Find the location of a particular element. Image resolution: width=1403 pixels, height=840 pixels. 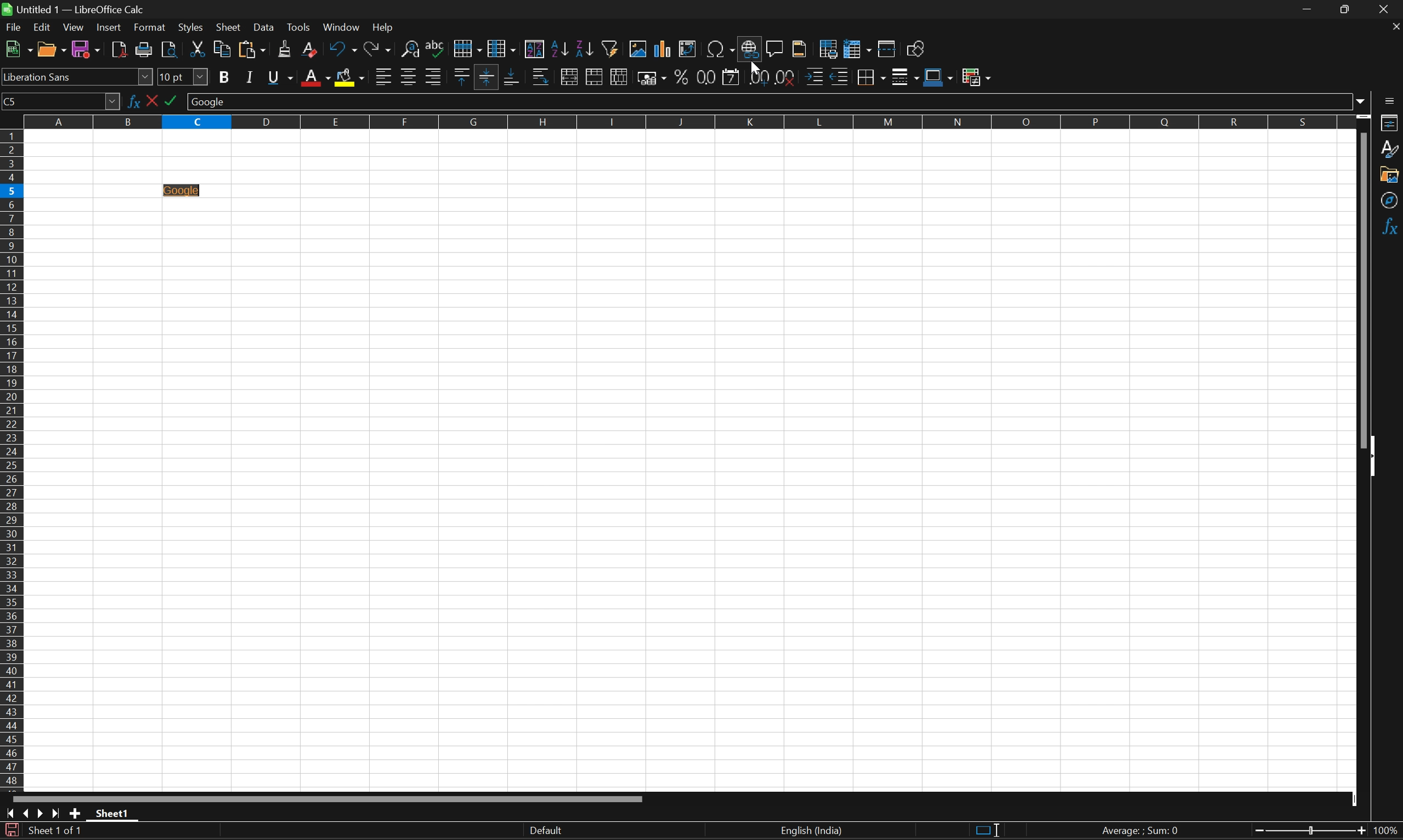

Format is located at coordinates (151, 27).